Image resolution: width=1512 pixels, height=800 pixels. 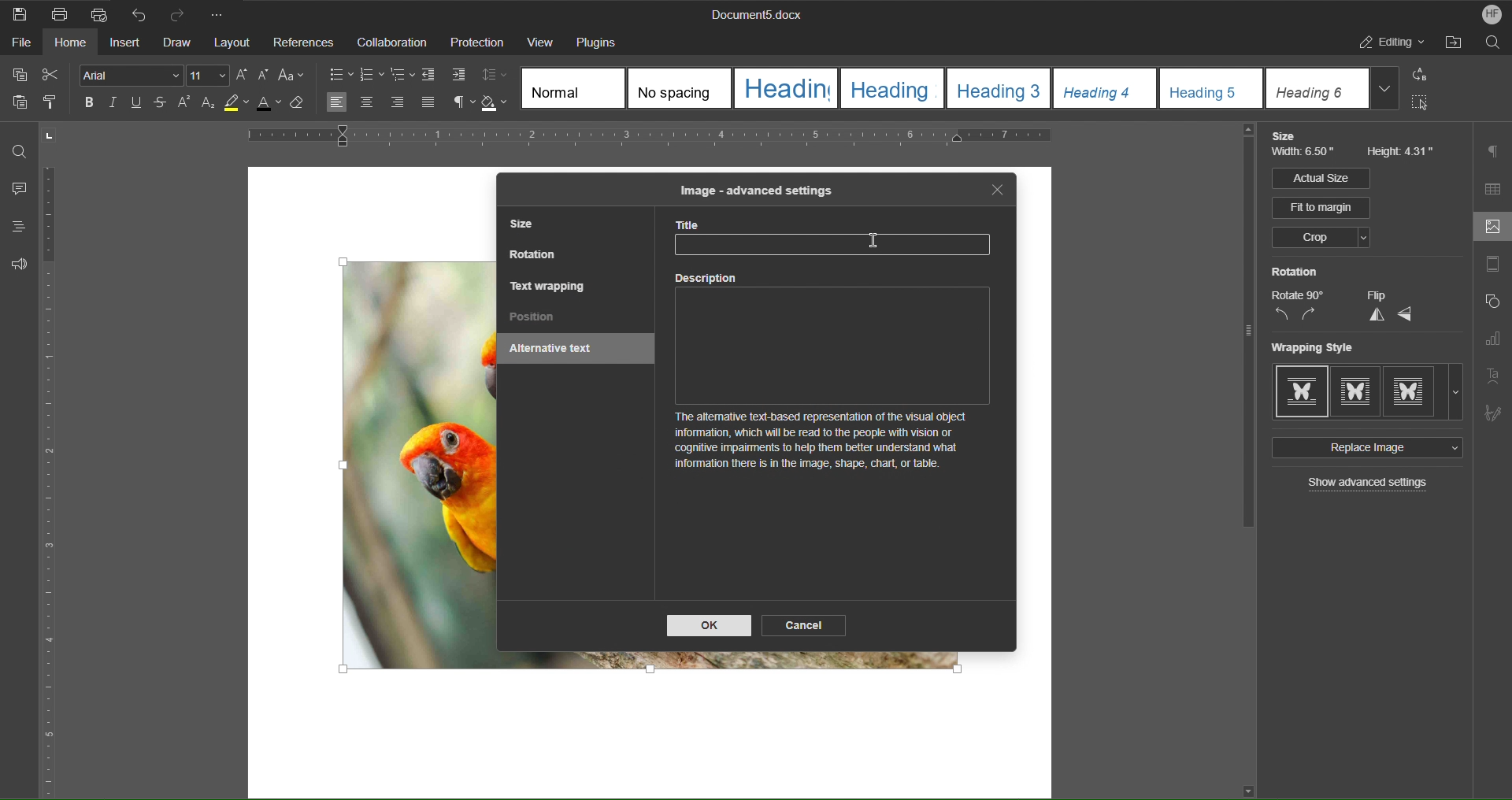 What do you see at coordinates (306, 107) in the screenshot?
I see `Erase Style` at bounding box center [306, 107].